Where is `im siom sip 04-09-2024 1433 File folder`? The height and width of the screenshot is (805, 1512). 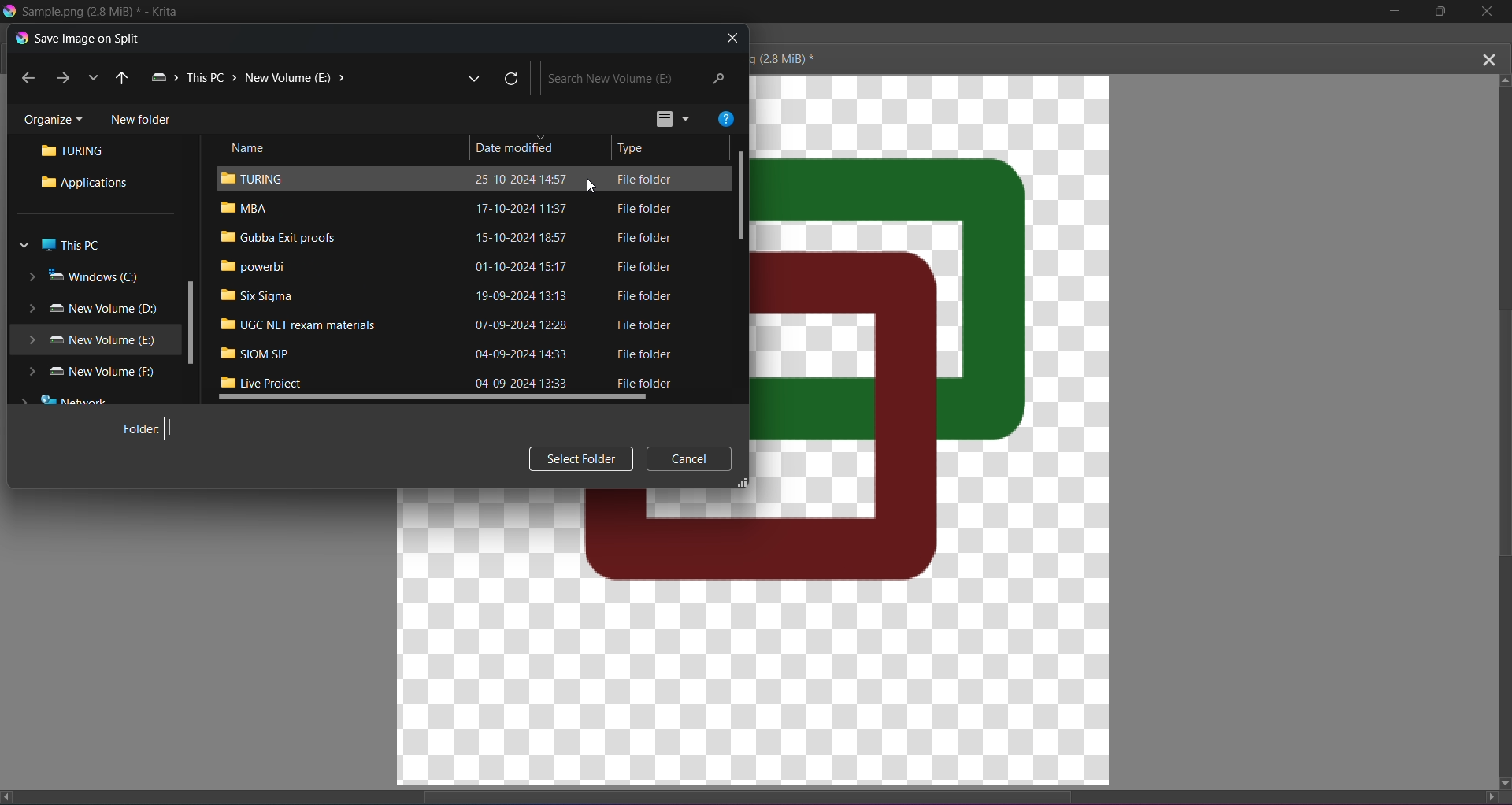 im siom sip 04-09-2024 1433 File folder is located at coordinates (460, 354).